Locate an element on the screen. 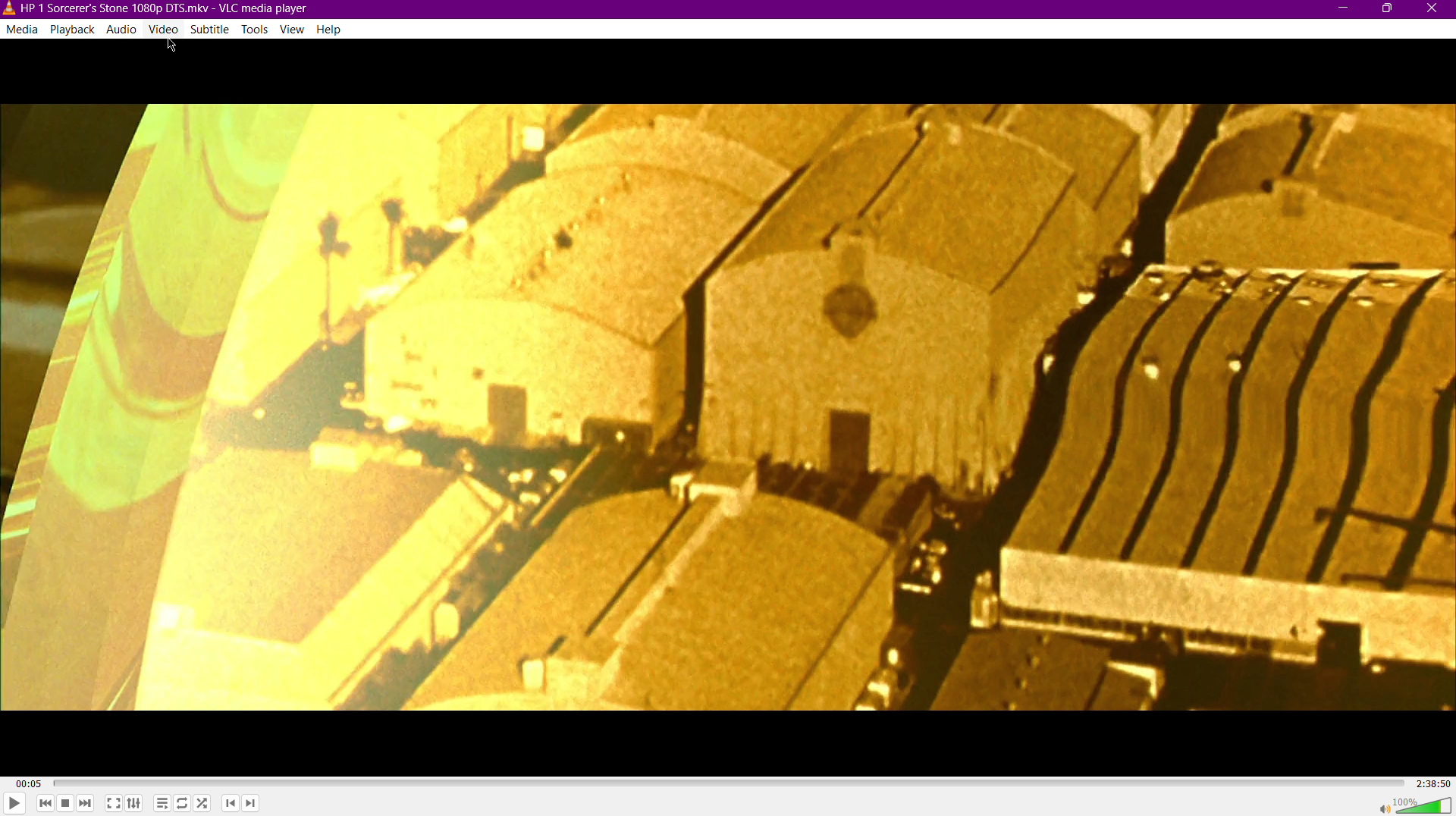 The width and height of the screenshot is (1456, 816). Close is located at coordinates (1430, 9).